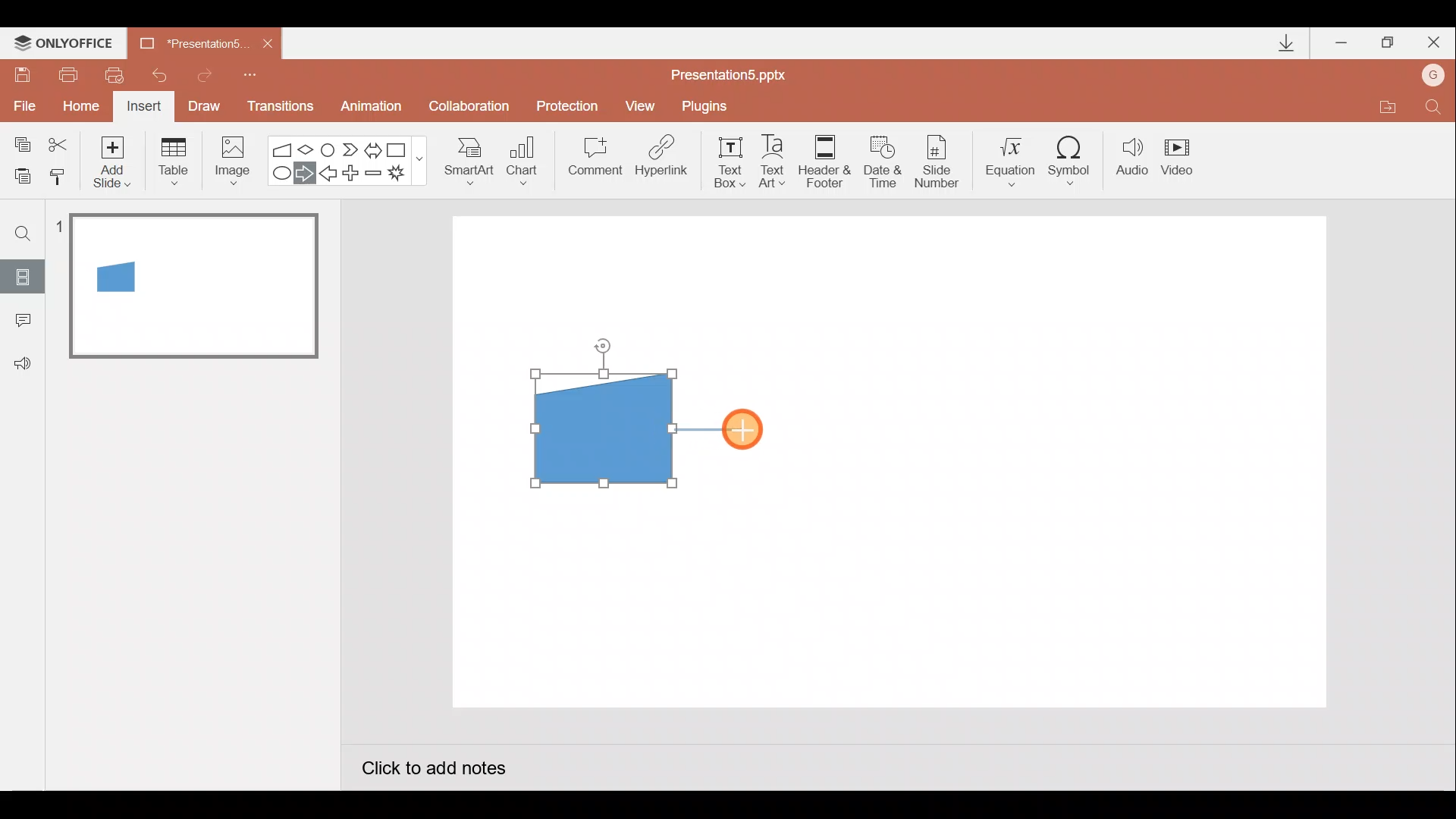 The image size is (1456, 819). I want to click on Header & footer, so click(824, 160).